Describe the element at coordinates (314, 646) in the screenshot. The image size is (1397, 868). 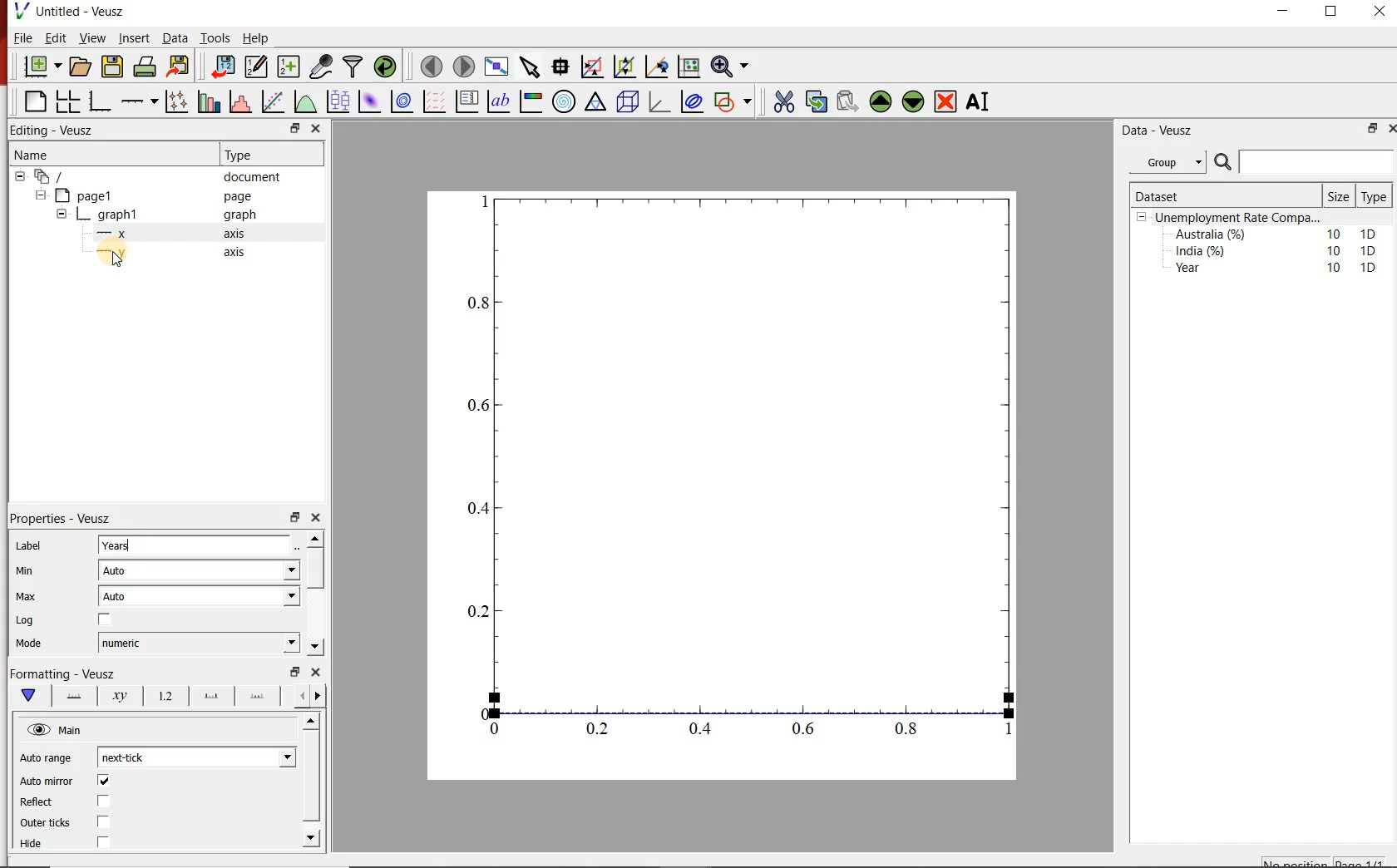
I see `move down` at that location.